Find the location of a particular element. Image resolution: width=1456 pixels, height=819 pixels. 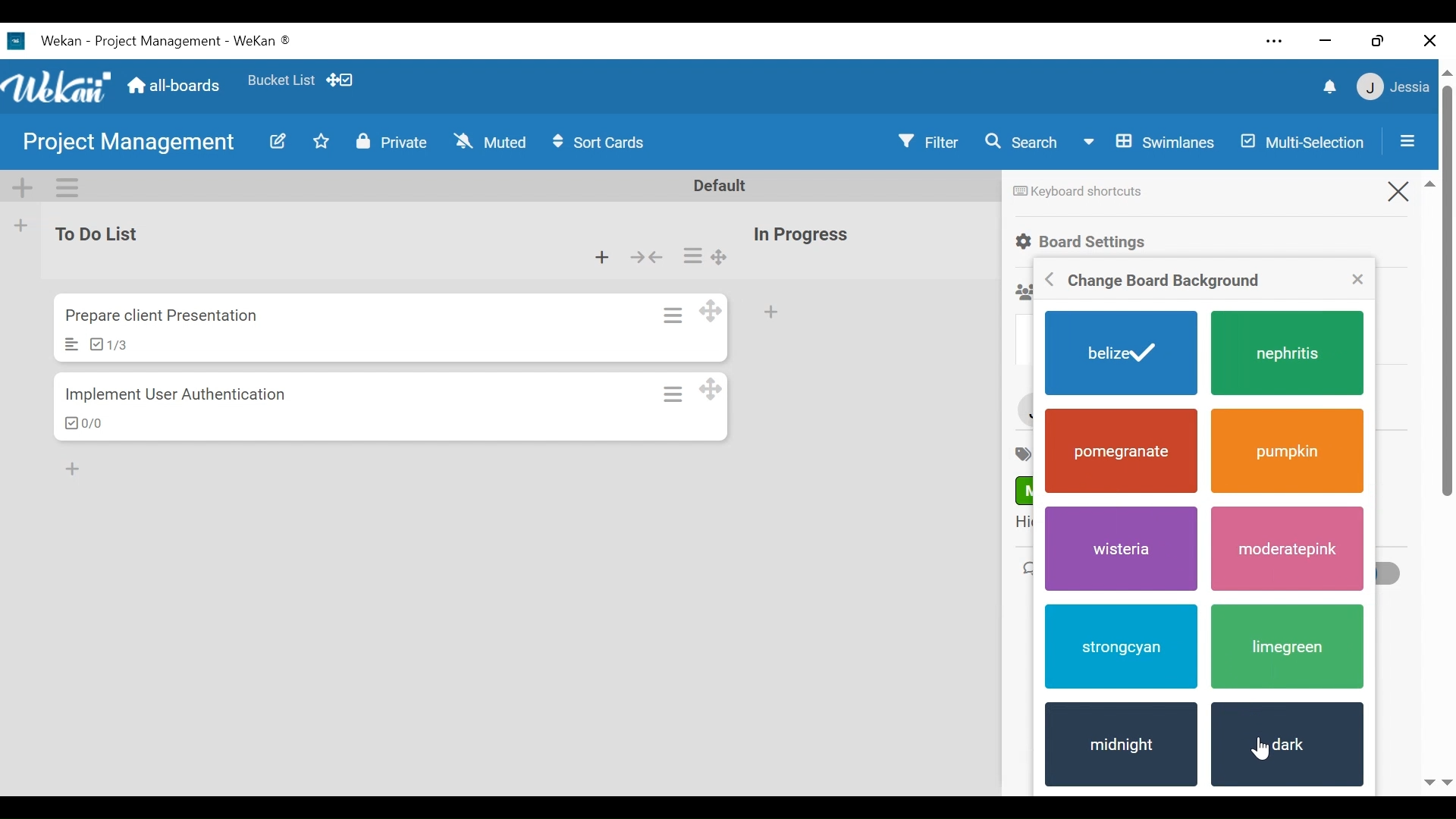

Card actions is located at coordinates (683, 394).